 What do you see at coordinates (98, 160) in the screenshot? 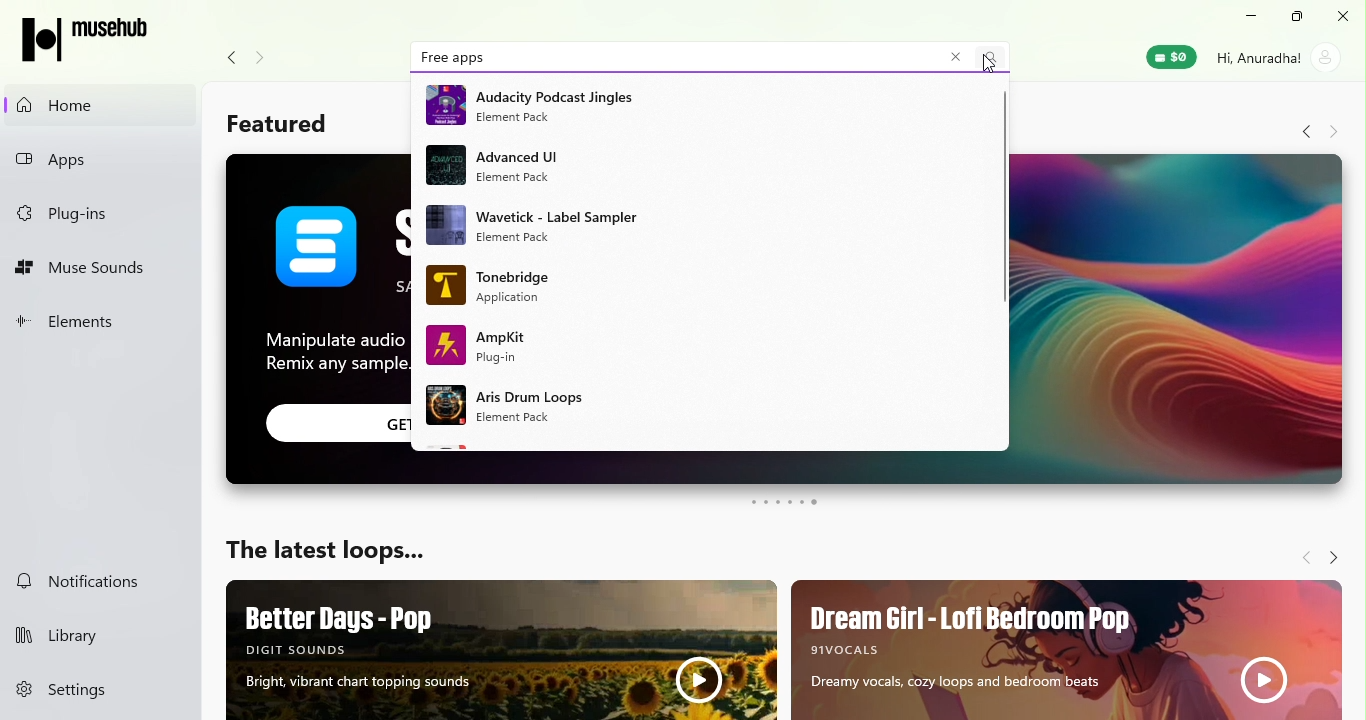
I see `Apps` at bounding box center [98, 160].